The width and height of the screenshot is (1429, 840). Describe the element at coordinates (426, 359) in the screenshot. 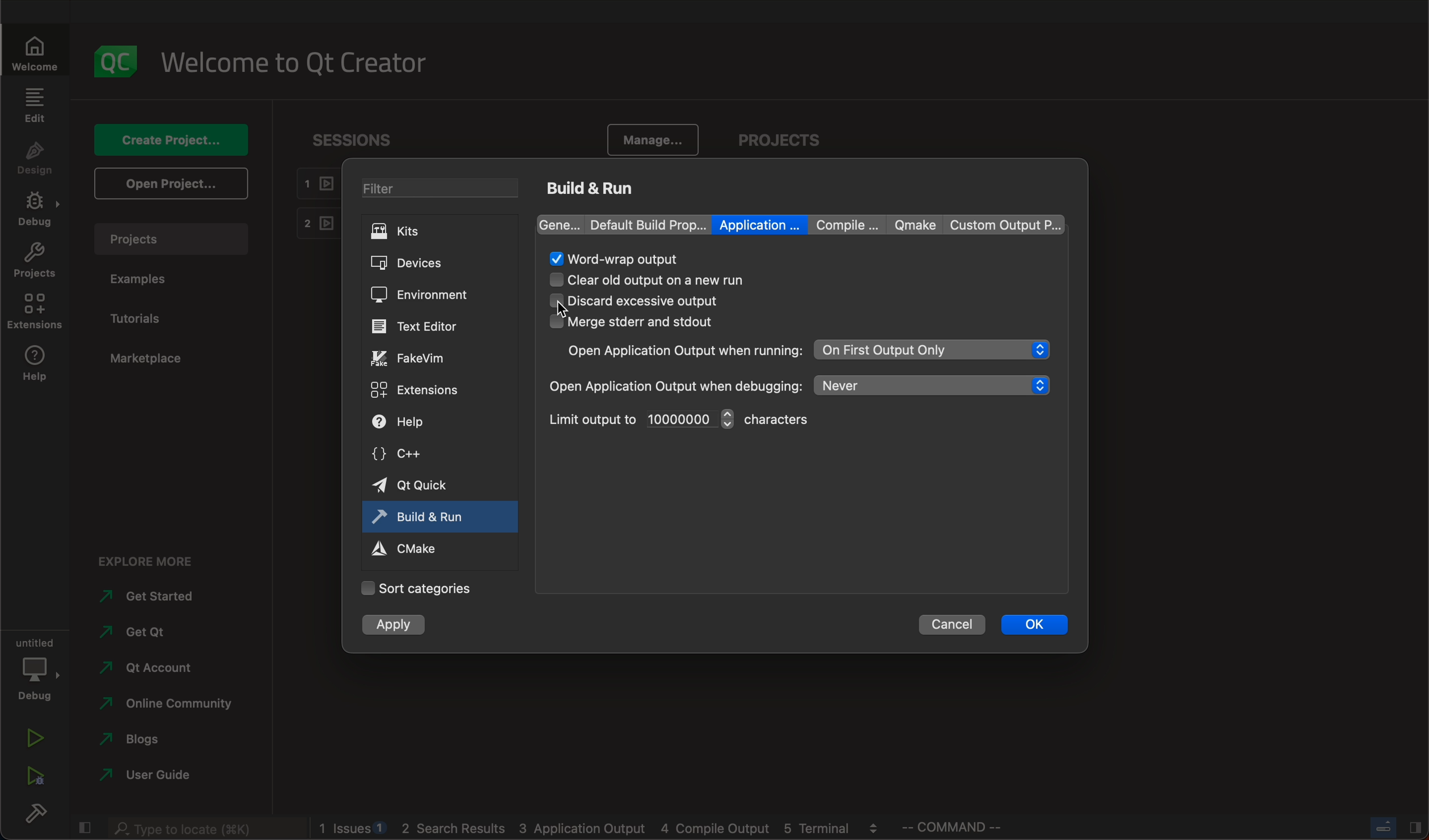

I see `fakevim` at that location.